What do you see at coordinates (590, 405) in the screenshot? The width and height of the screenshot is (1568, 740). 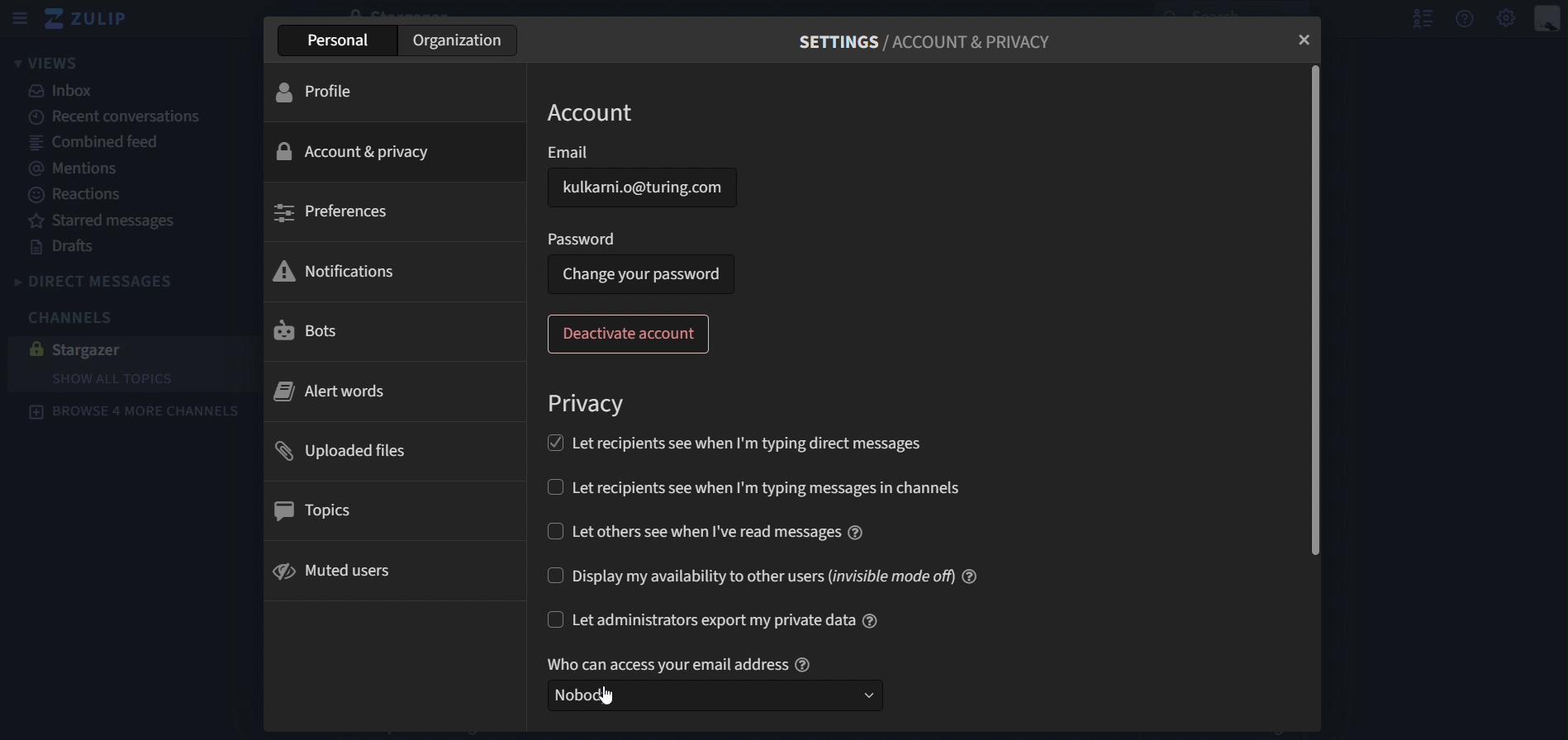 I see `privacy` at bounding box center [590, 405].